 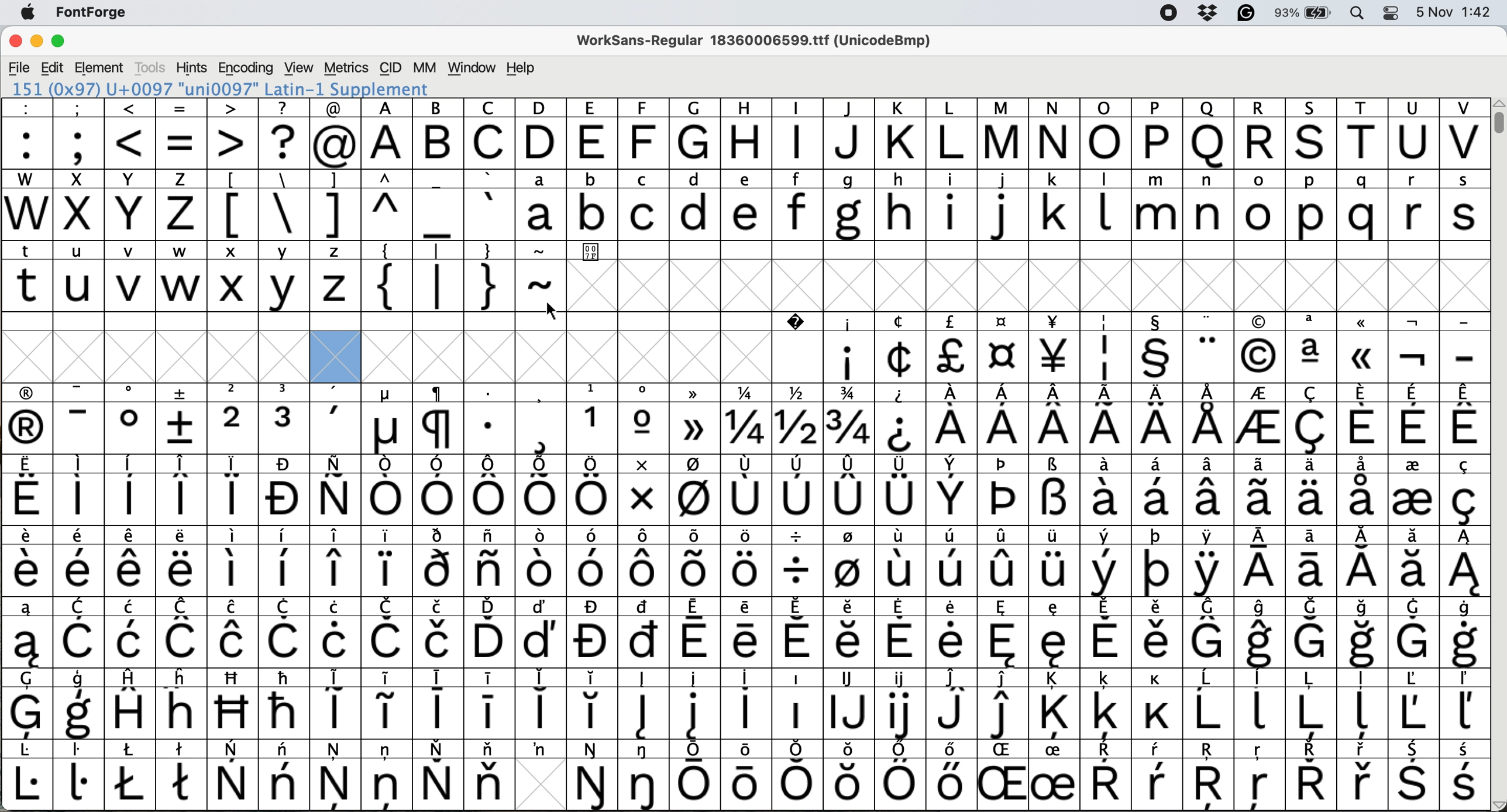 I want to click on symbol, so click(x=1107, y=490).